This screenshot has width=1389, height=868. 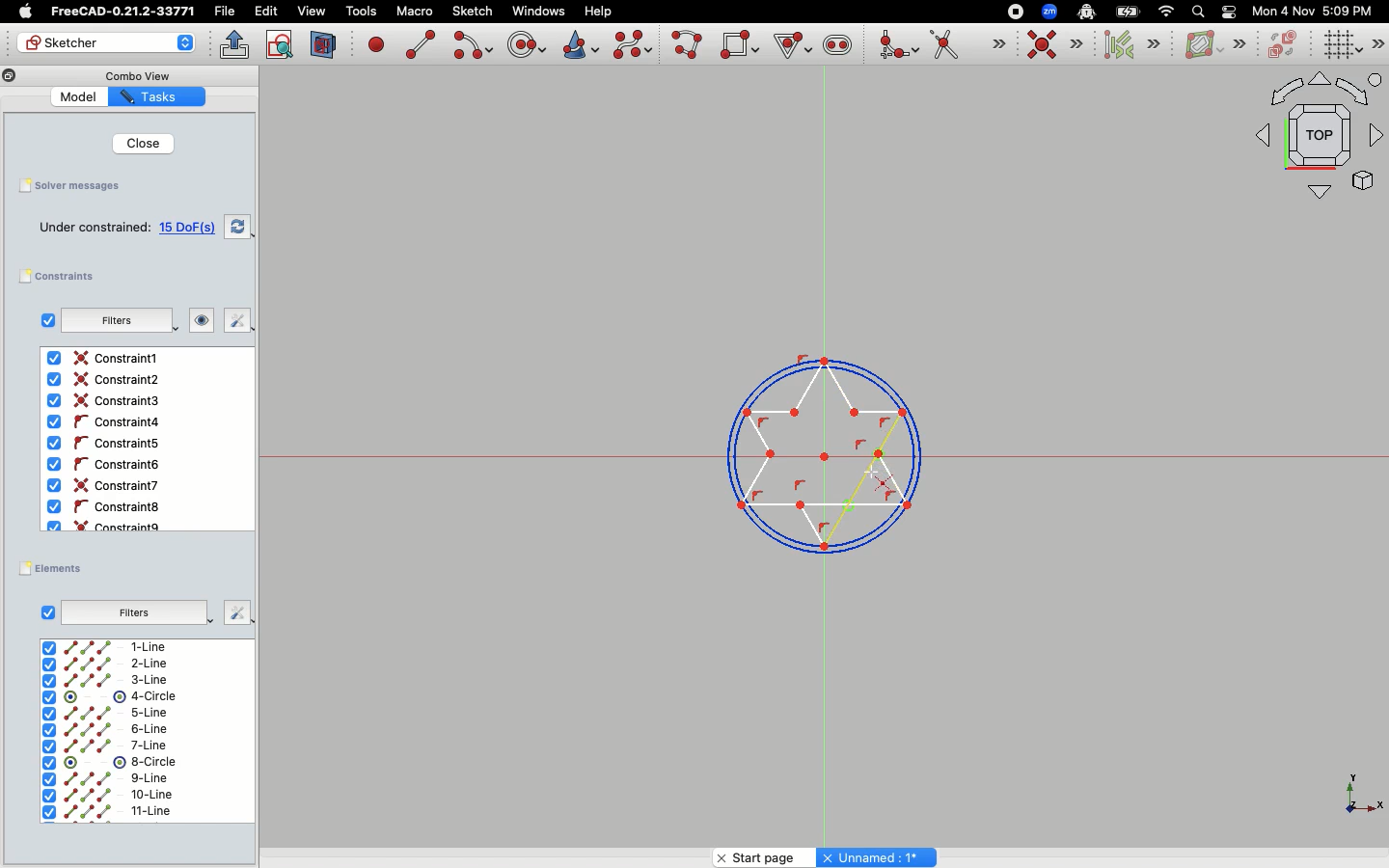 I want to click on 4-Circle, so click(x=111, y=697).